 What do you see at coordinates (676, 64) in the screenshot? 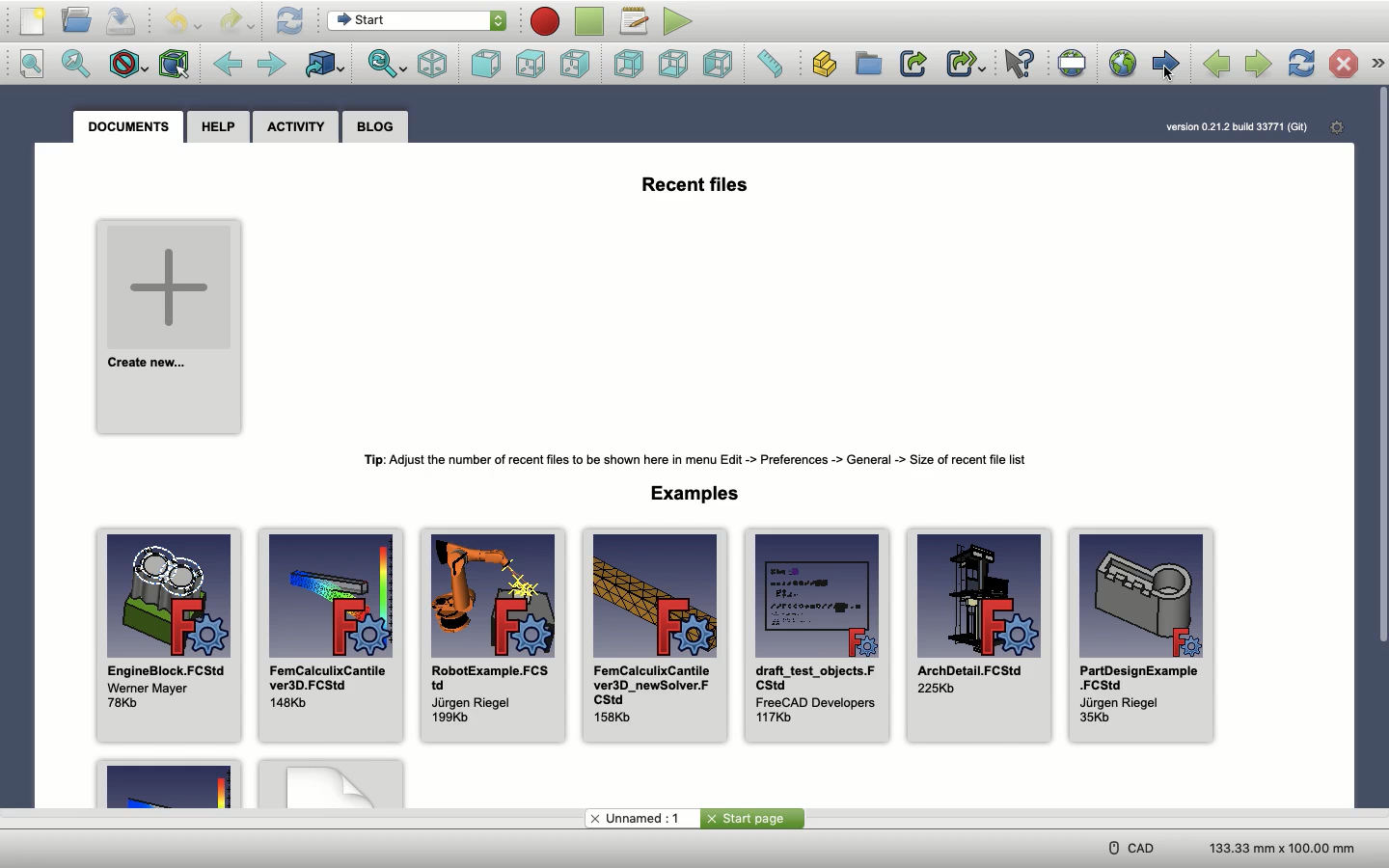
I see `Bottom` at bounding box center [676, 64].